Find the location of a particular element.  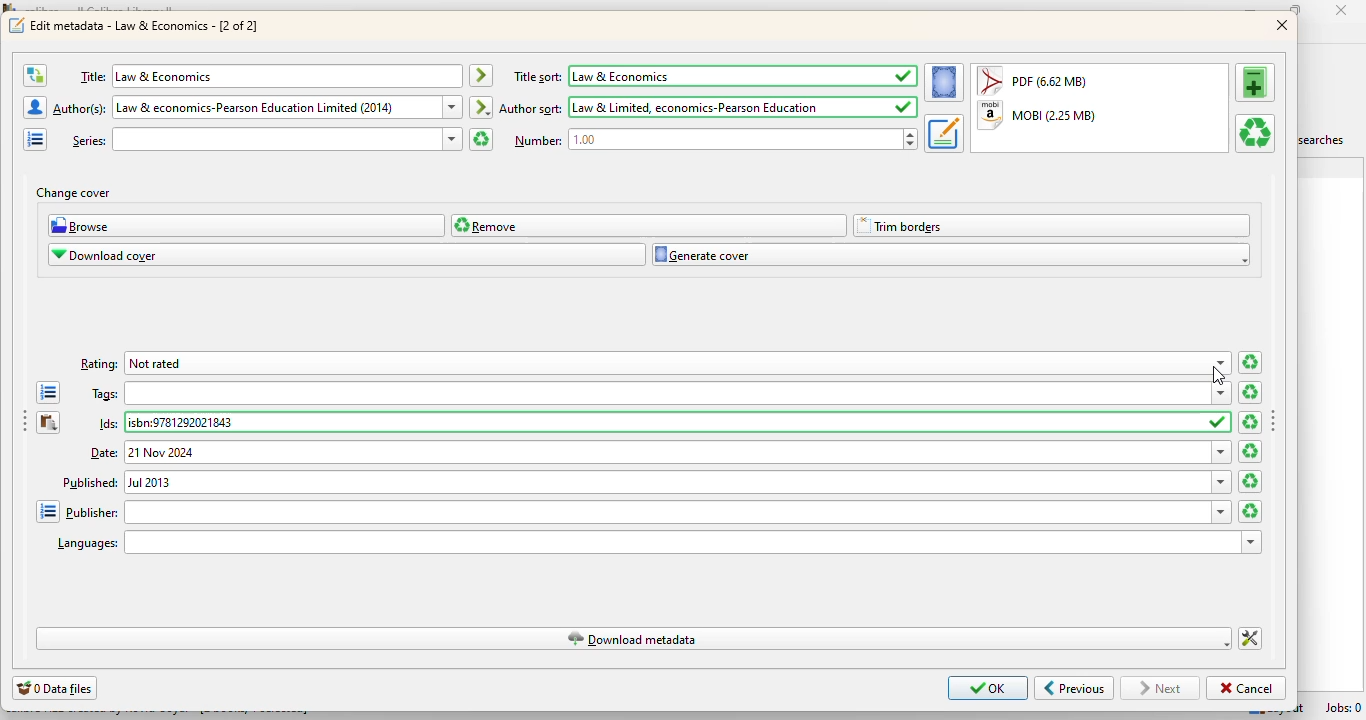

author sort: law & limited, economics-pearson education is located at coordinates (708, 107).